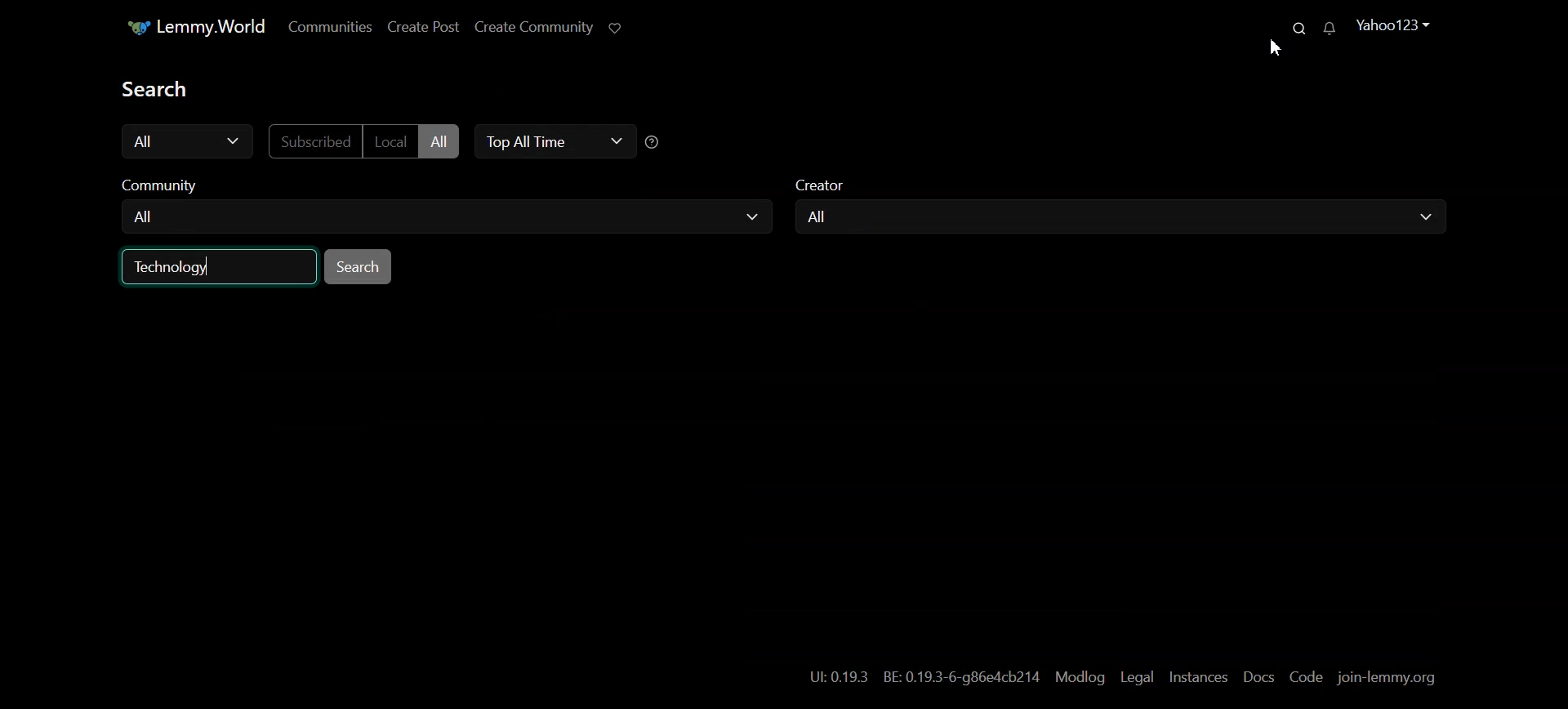 Image resolution: width=1568 pixels, height=709 pixels. Describe the element at coordinates (153, 88) in the screenshot. I see `Text` at that location.